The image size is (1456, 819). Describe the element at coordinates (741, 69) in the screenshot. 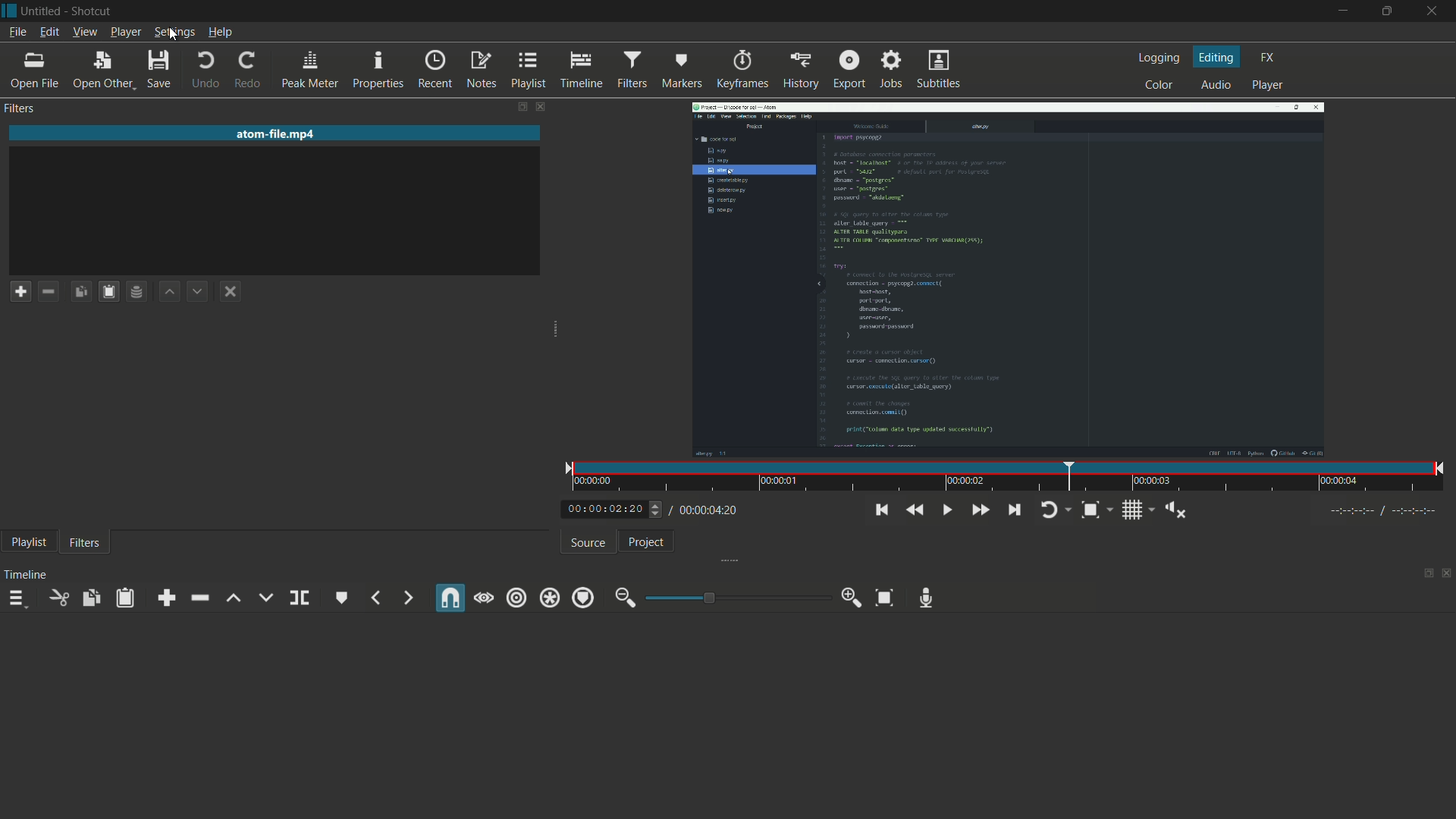

I see `keyframes` at that location.